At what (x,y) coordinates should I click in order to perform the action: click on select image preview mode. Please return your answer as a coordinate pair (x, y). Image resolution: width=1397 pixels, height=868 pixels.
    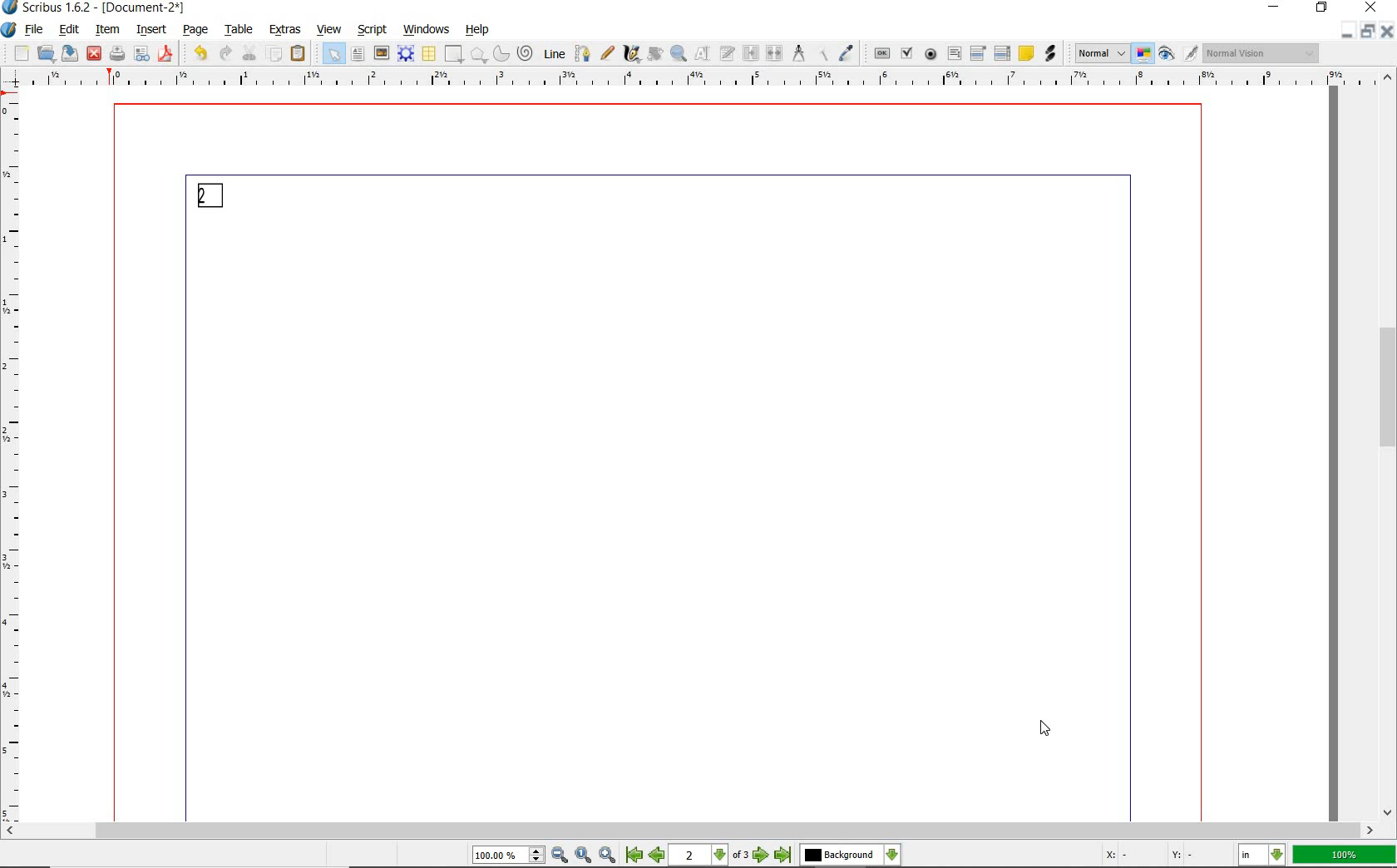
    Looking at the image, I should click on (1101, 53).